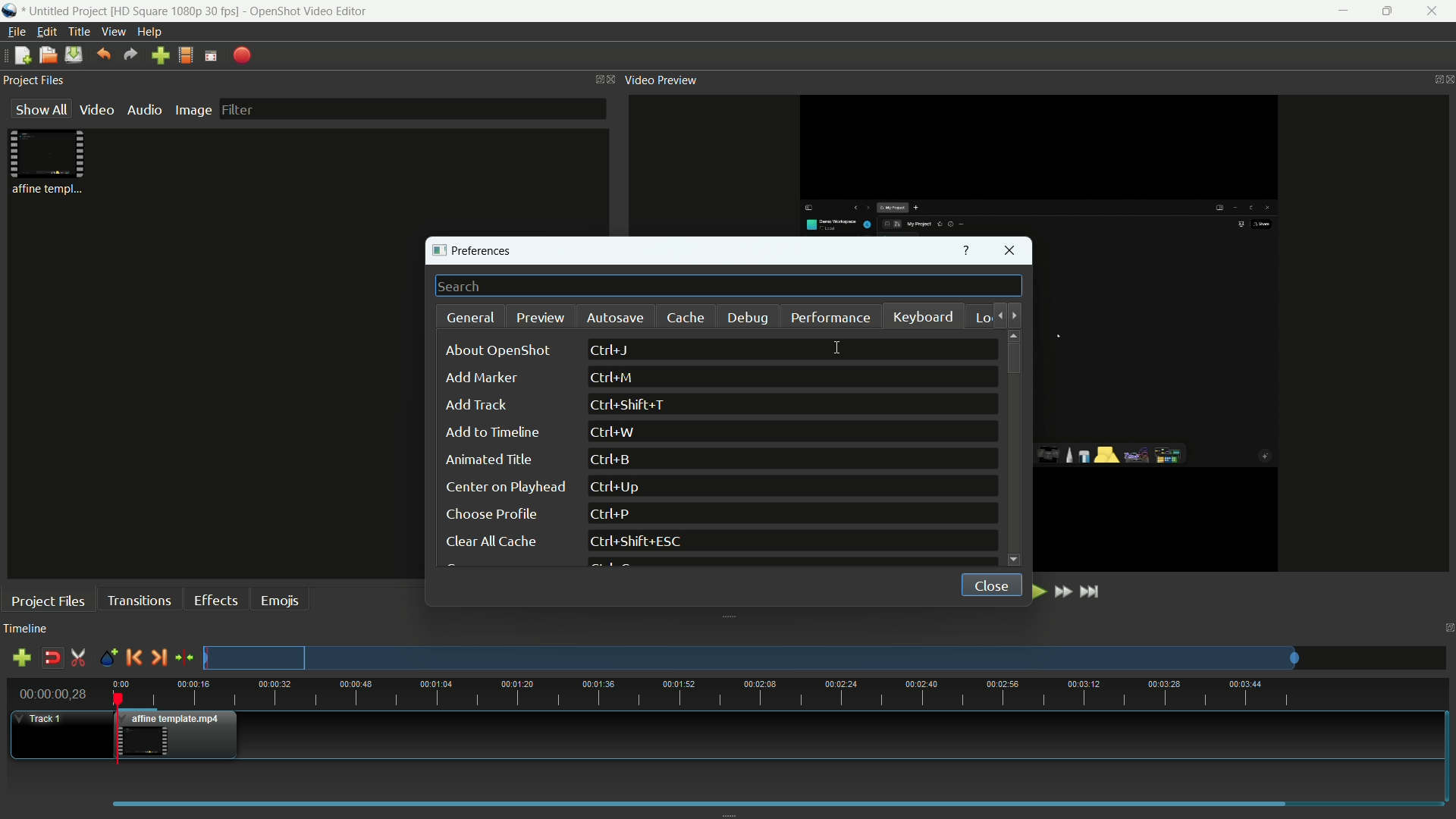 The image size is (1456, 819). I want to click on new file, so click(20, 56).